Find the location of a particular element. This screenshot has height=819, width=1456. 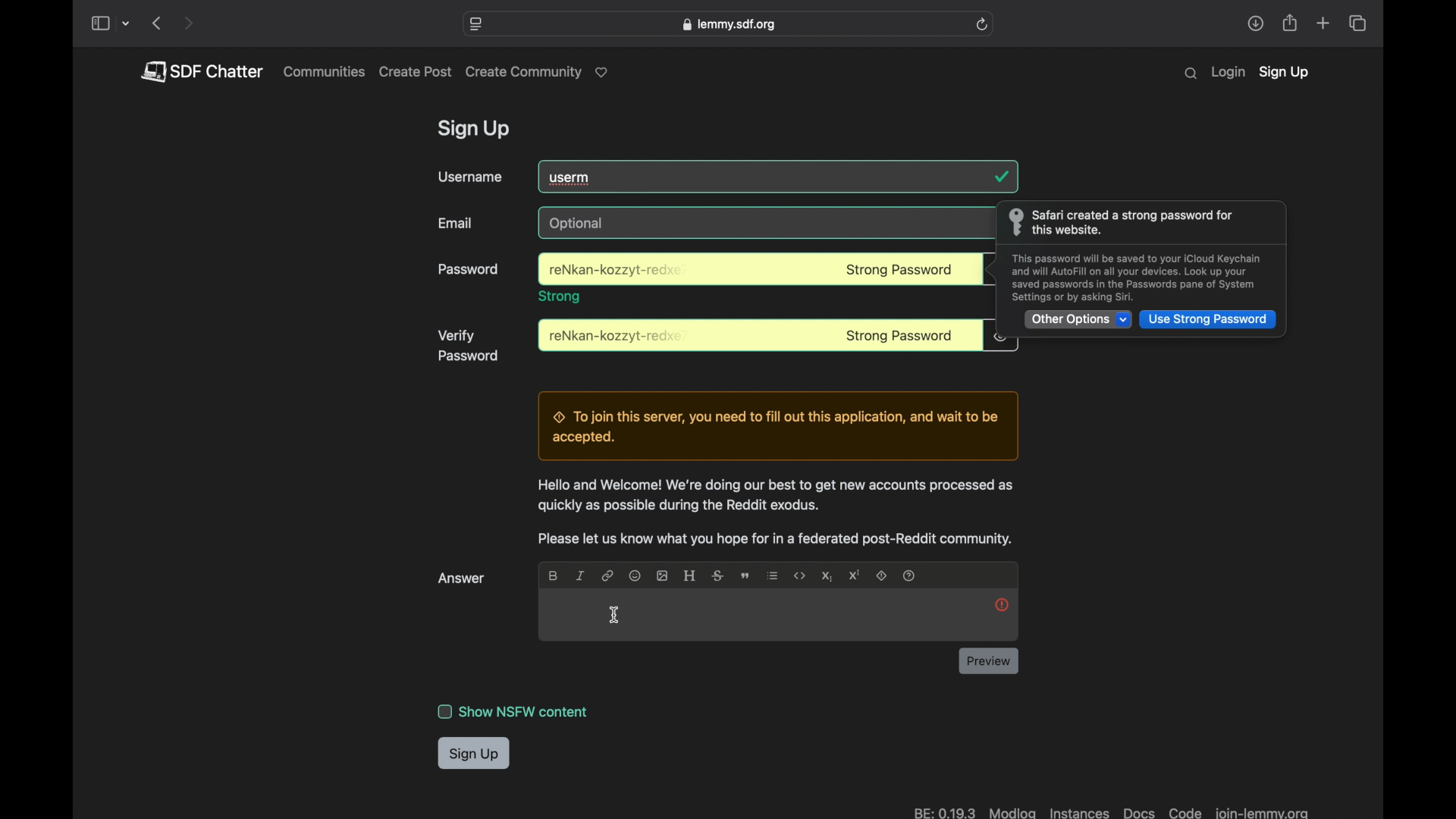

help is located at coordinates (910, 576).